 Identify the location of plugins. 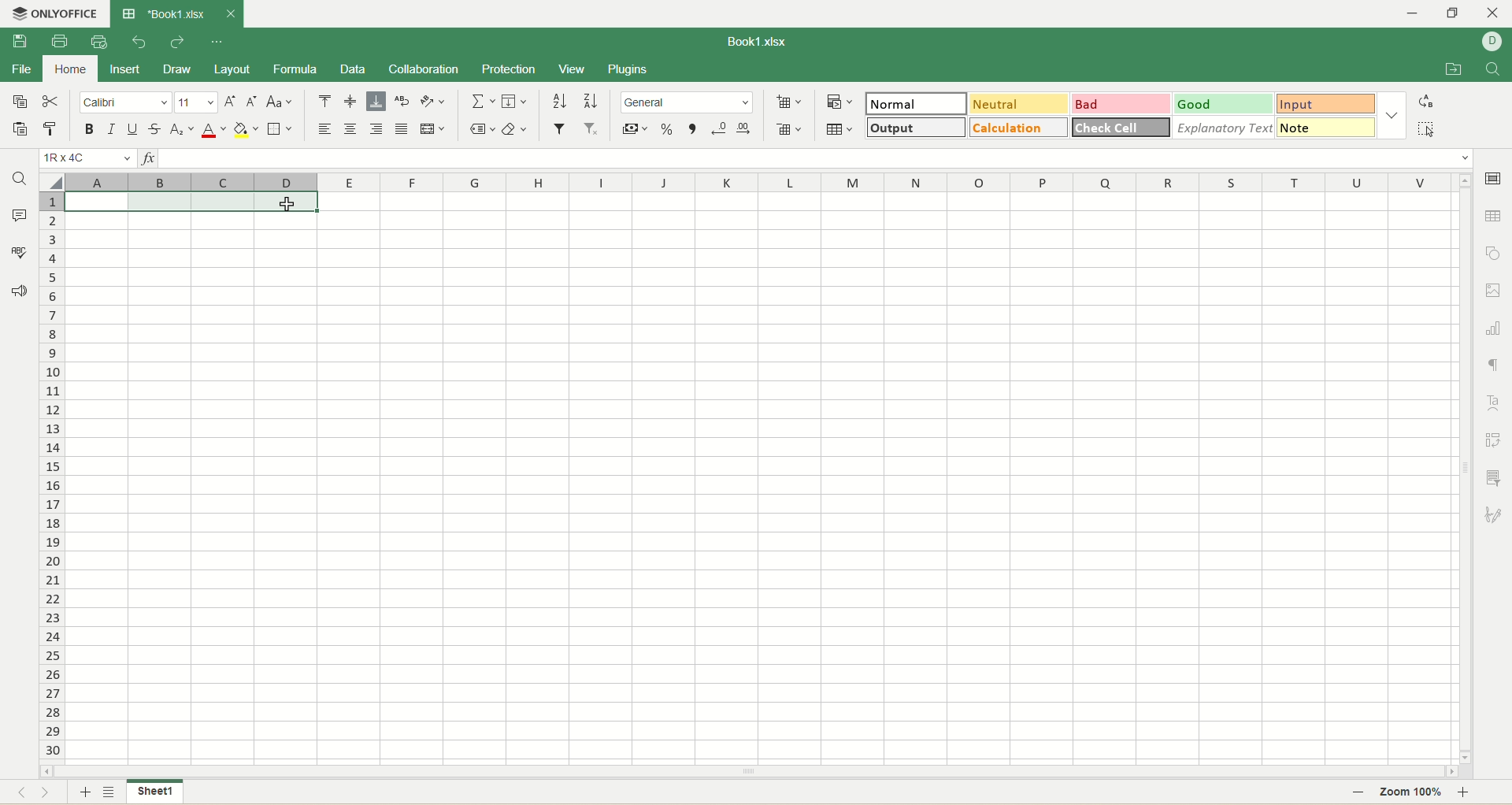
(627, 69).